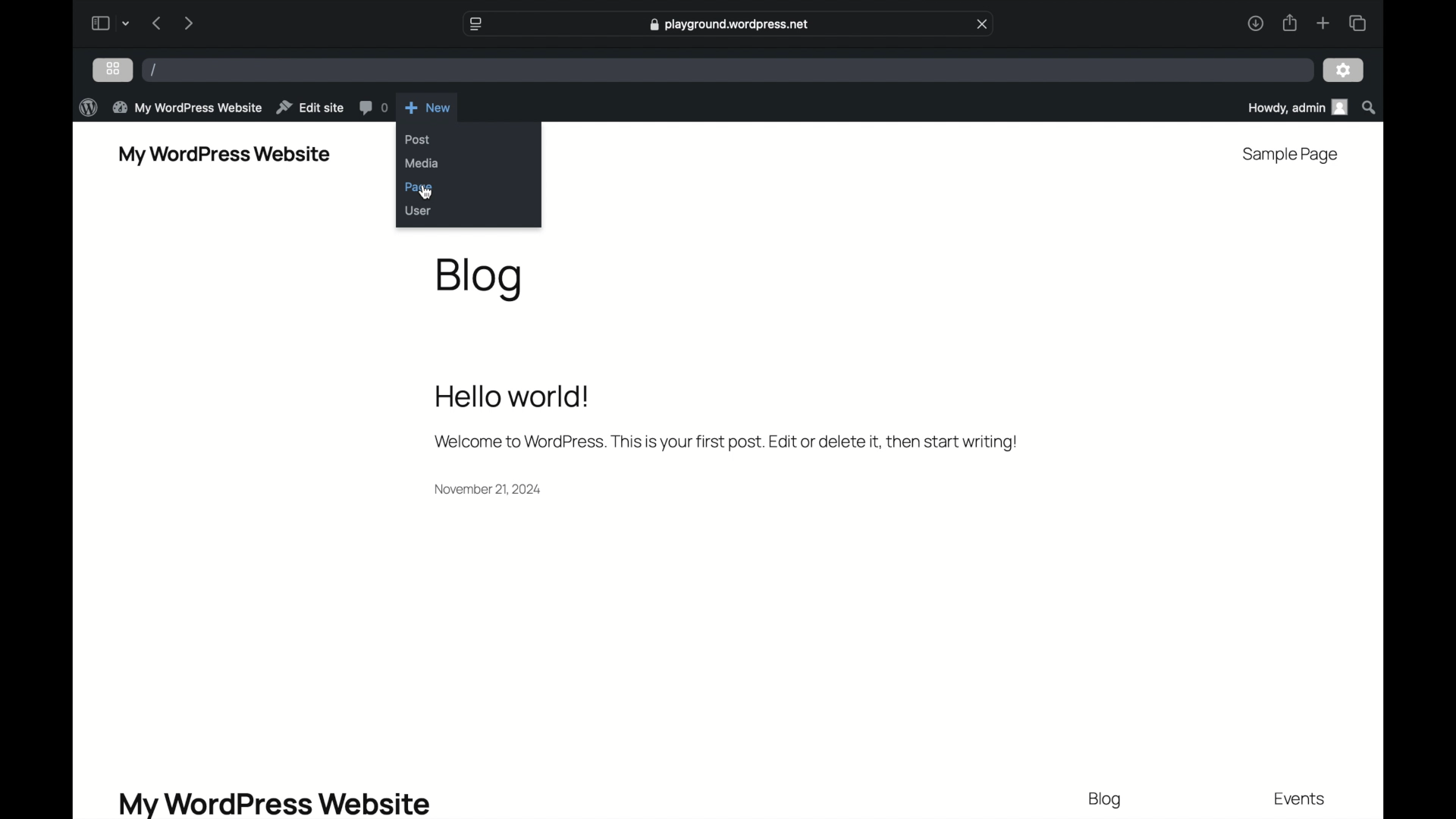  Describe the element at coordinates (113, 69) in the screenshot. I see `grid view` at that location.